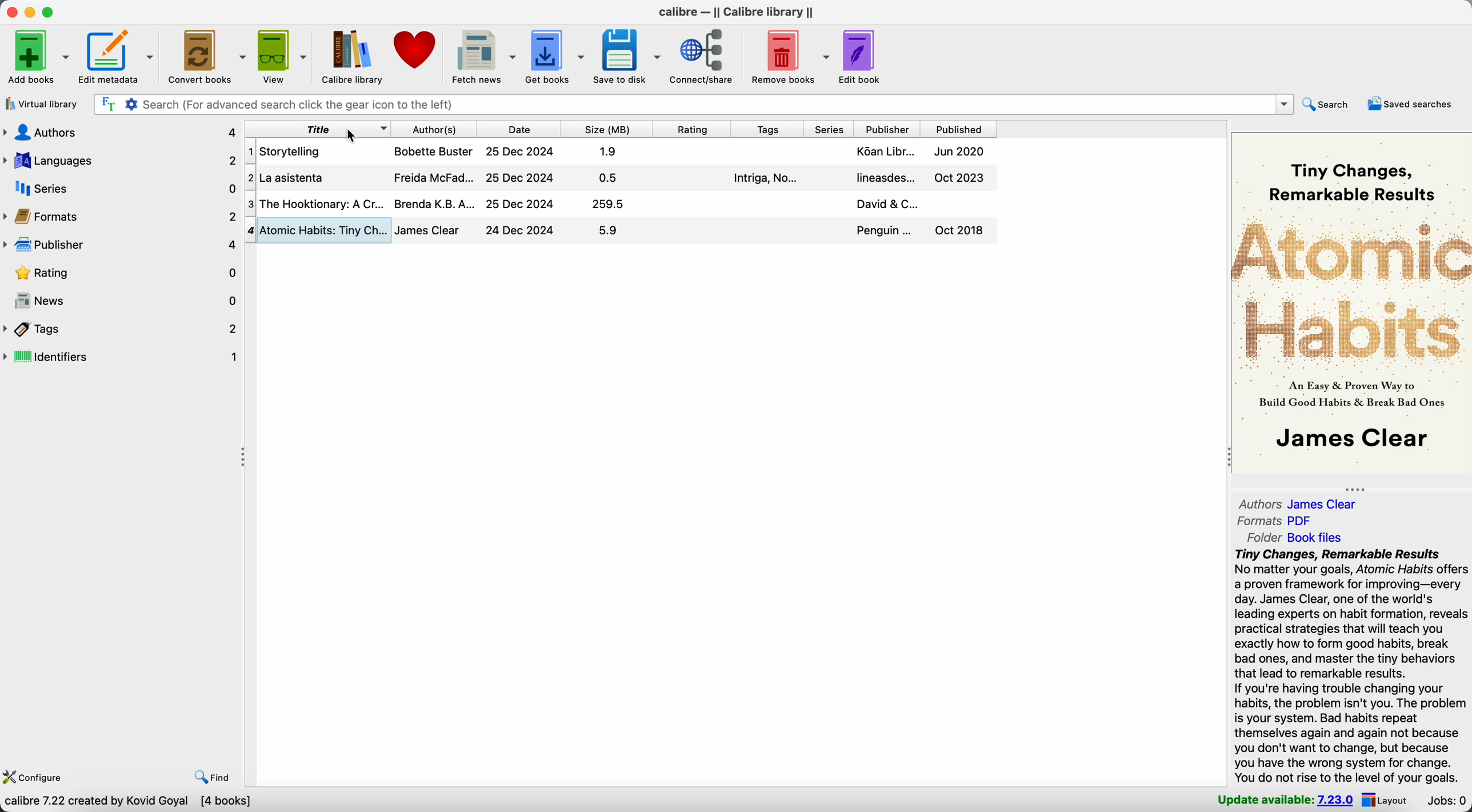  Describe the element at coordinates (703, 57) in the screenshot. I see `connect/share` at that location.